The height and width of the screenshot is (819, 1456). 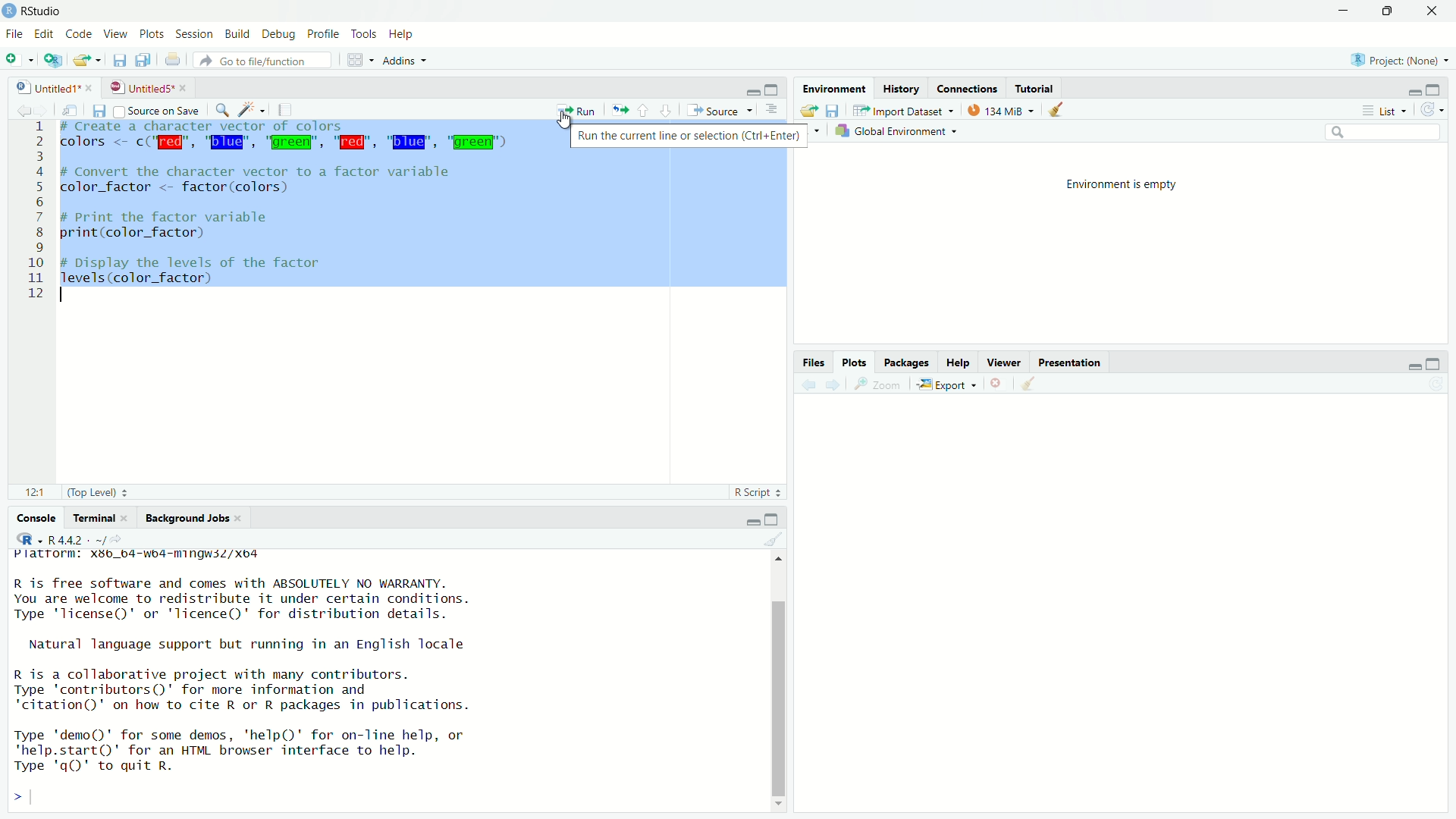 I want to click on help, so click(x=404, y=34).